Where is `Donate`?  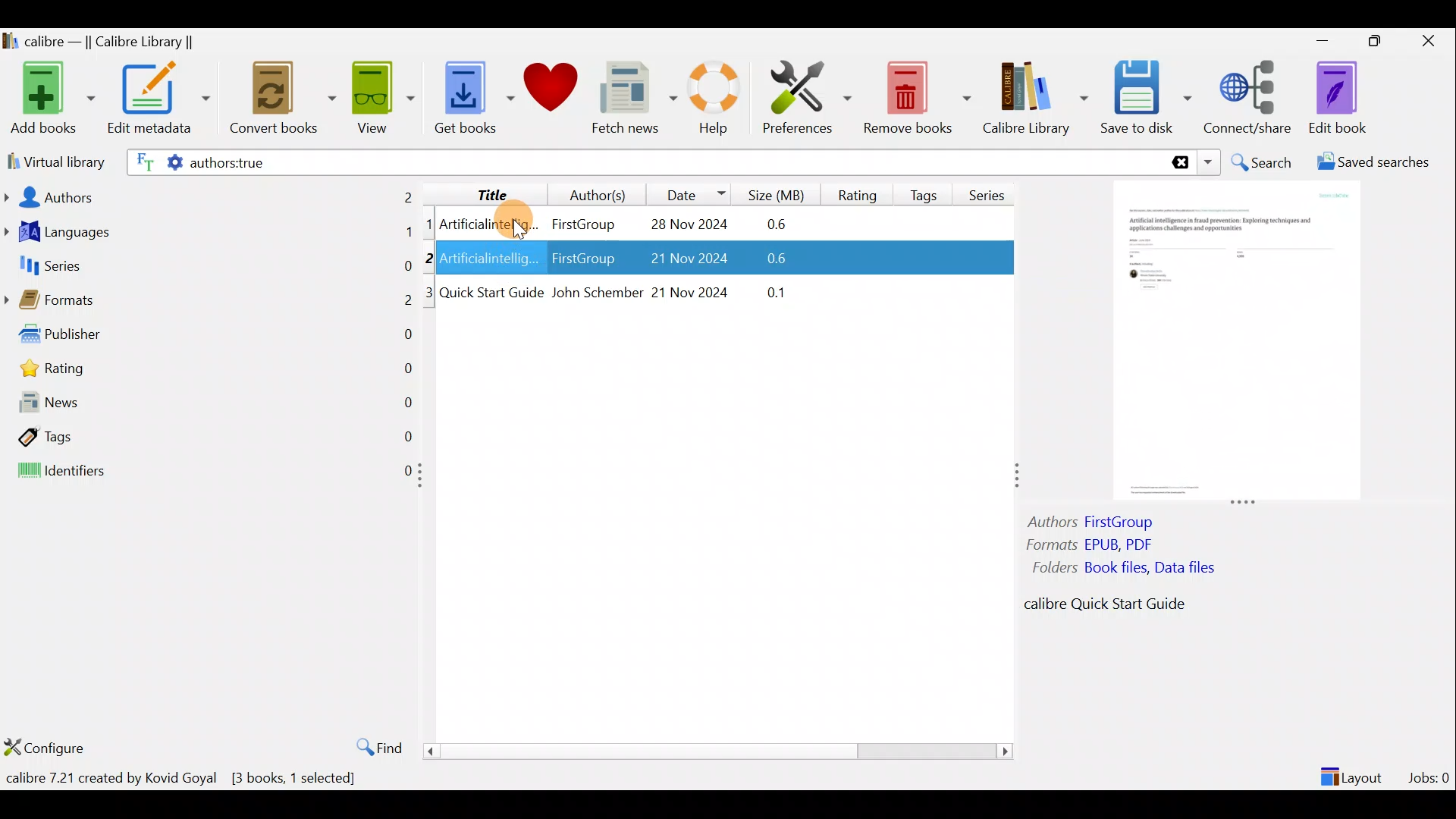
Donate is located at coordinates (551, 93).